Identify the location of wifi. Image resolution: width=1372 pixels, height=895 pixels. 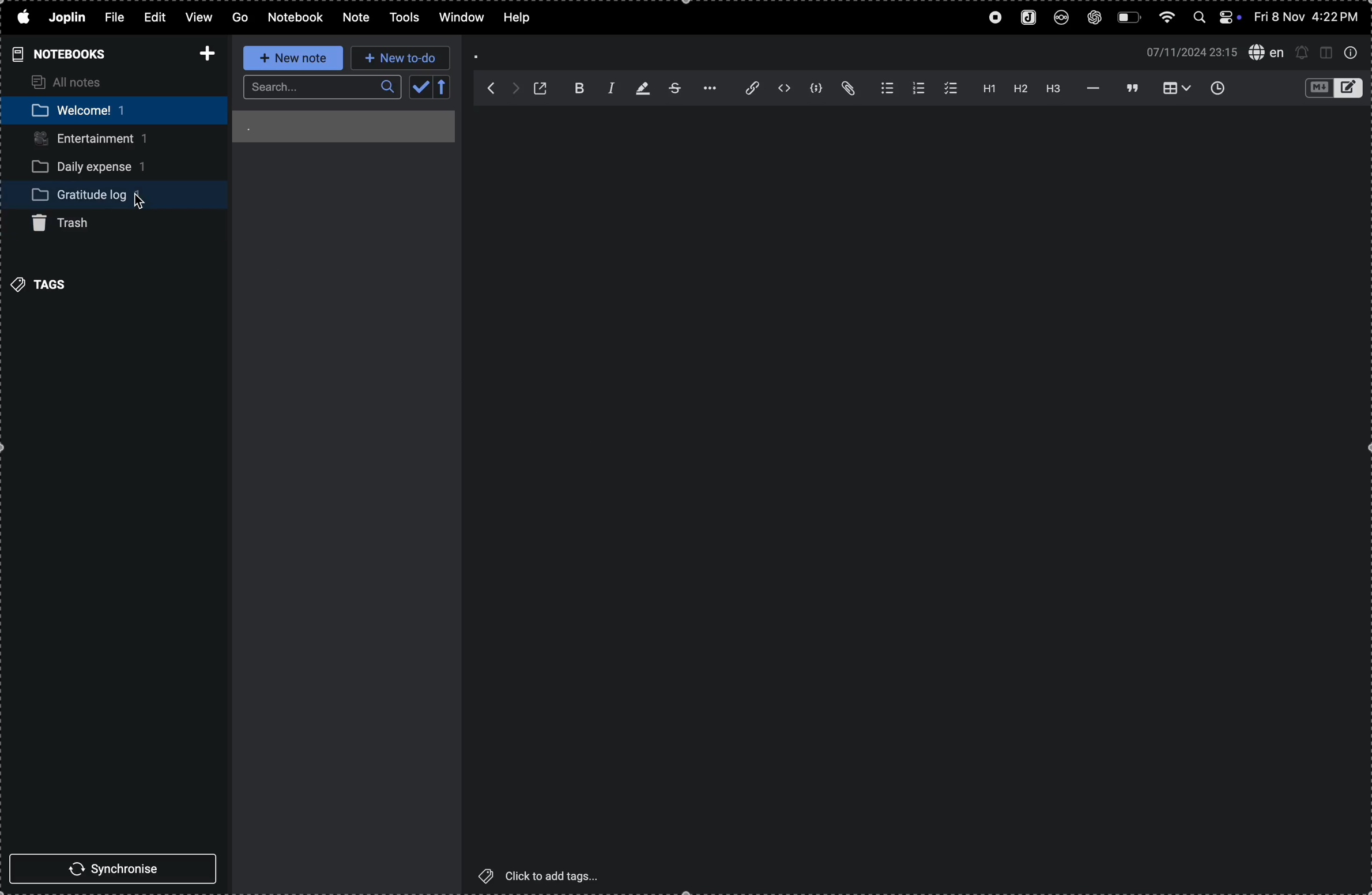
(1164, 18).